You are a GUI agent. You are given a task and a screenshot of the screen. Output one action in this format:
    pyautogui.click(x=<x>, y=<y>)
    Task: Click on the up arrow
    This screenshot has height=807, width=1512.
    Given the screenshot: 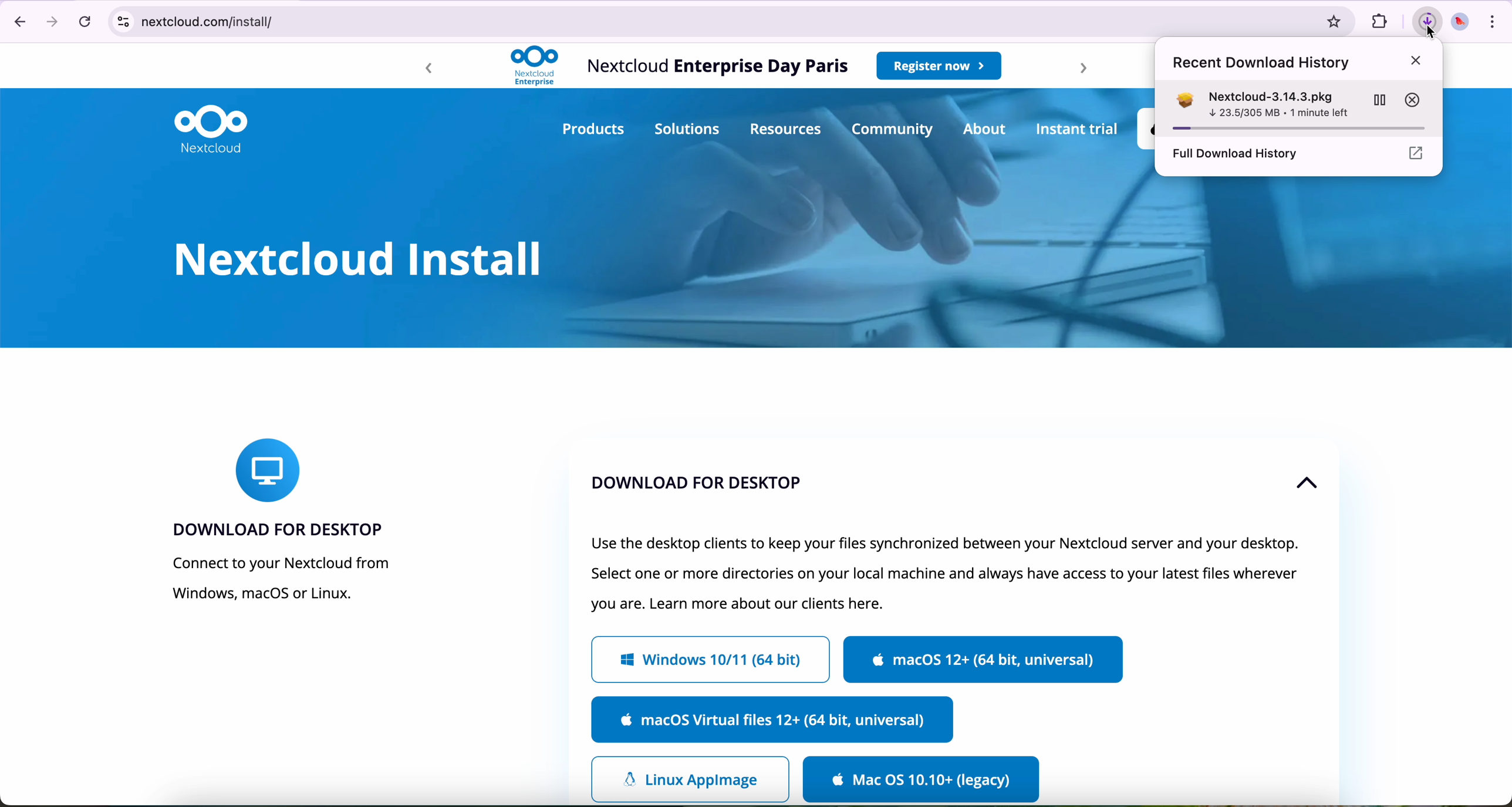 What is the action you would take?
    pyautogui.click(x=1304, y=484)
    